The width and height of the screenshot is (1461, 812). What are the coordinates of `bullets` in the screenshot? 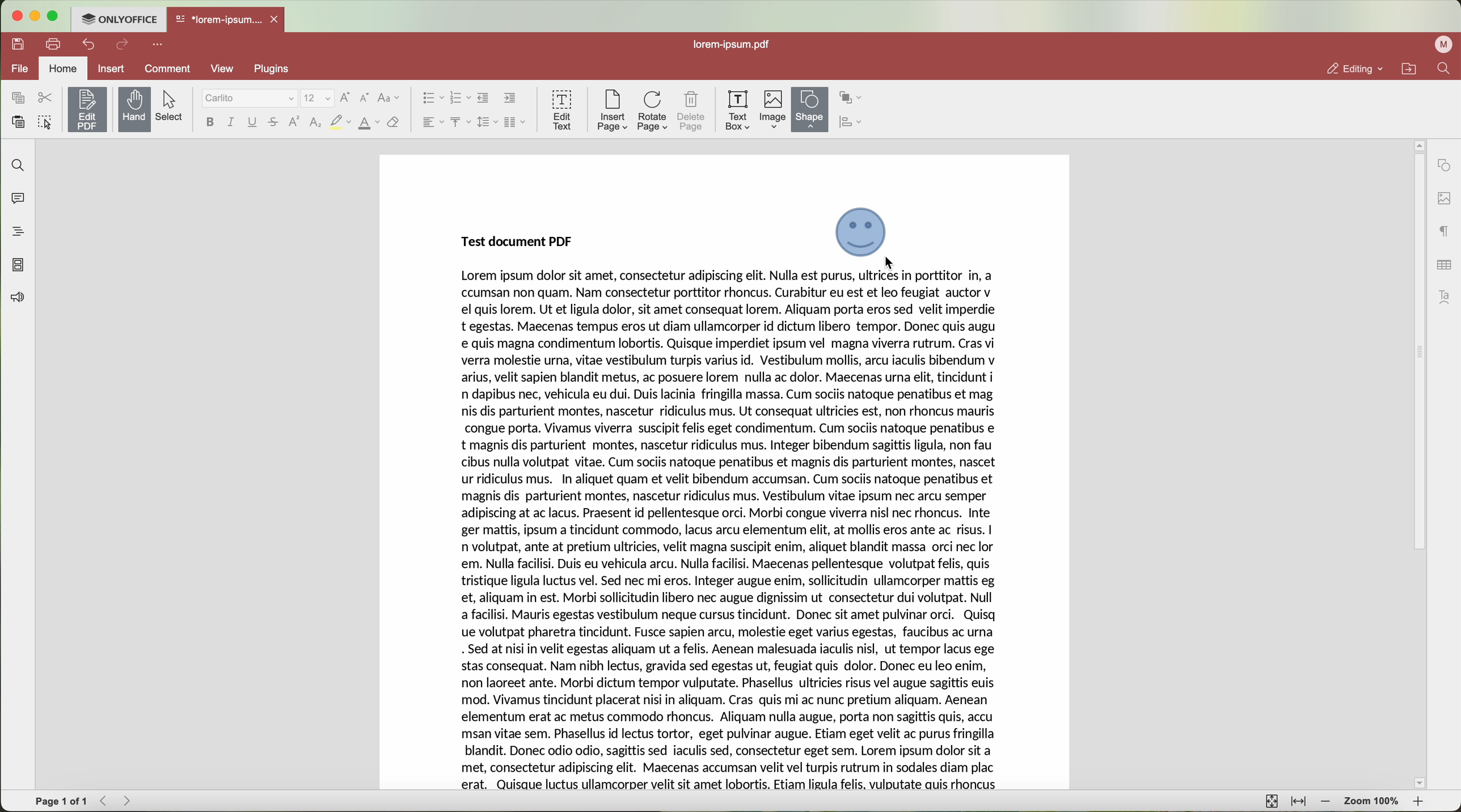 It's located at (432, 99).